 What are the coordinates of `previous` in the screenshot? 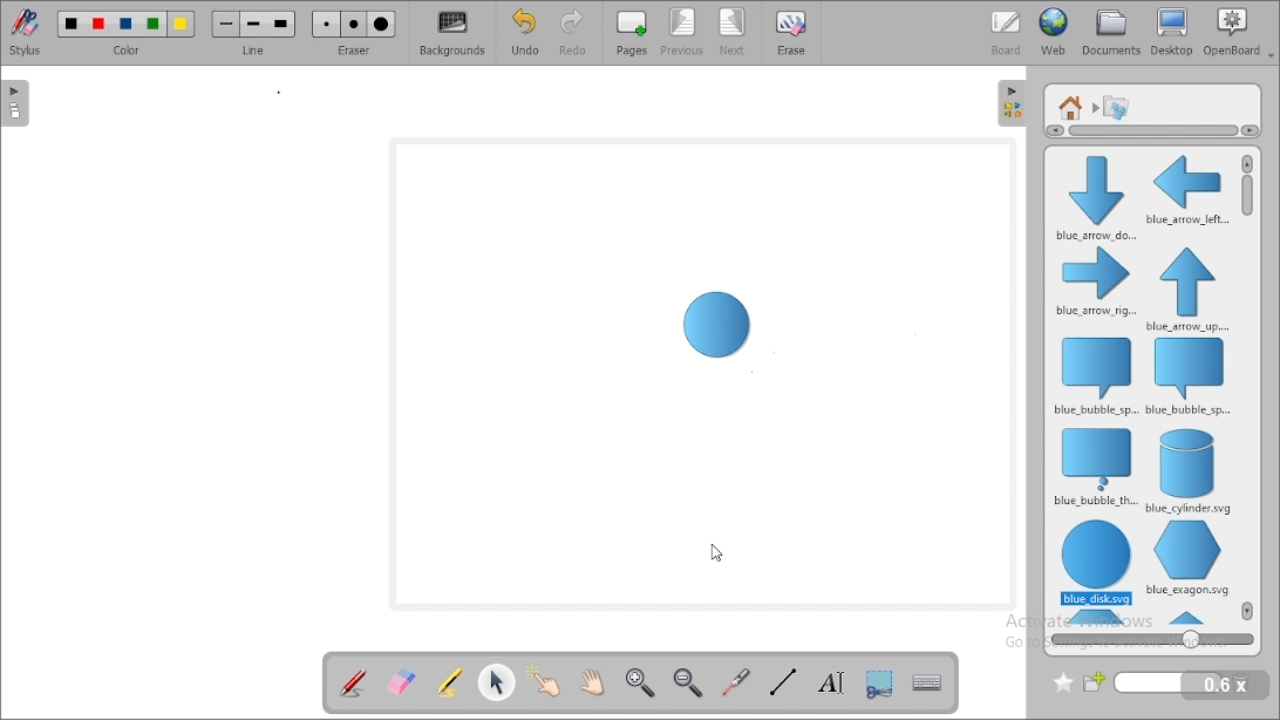 It's located at (683, 33).